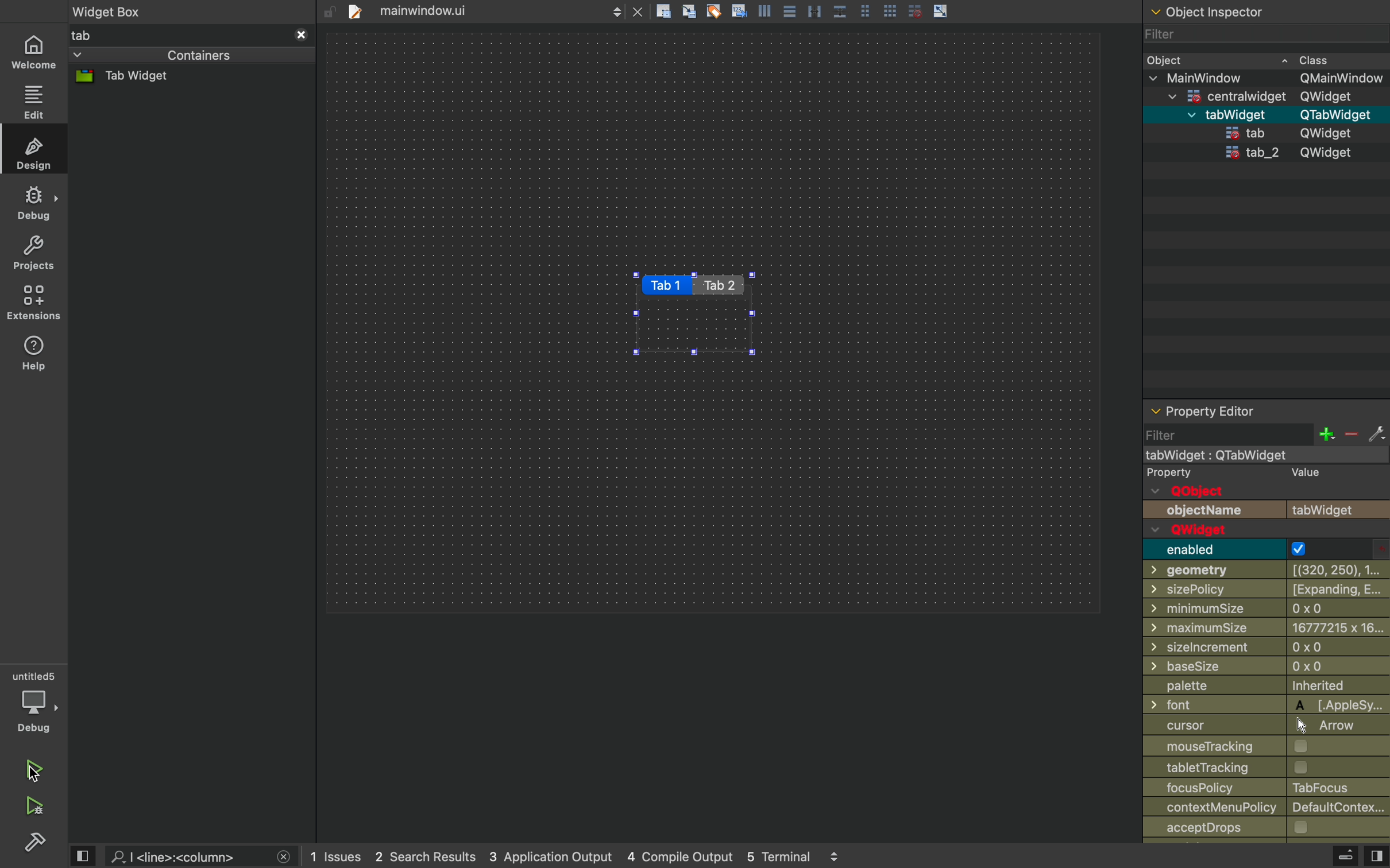 The height and width of the screenshot is (868, 1390). What do you see at coordinates (36, 253) in the screenshot?
I see `projects` at bounding box center [36, 253].